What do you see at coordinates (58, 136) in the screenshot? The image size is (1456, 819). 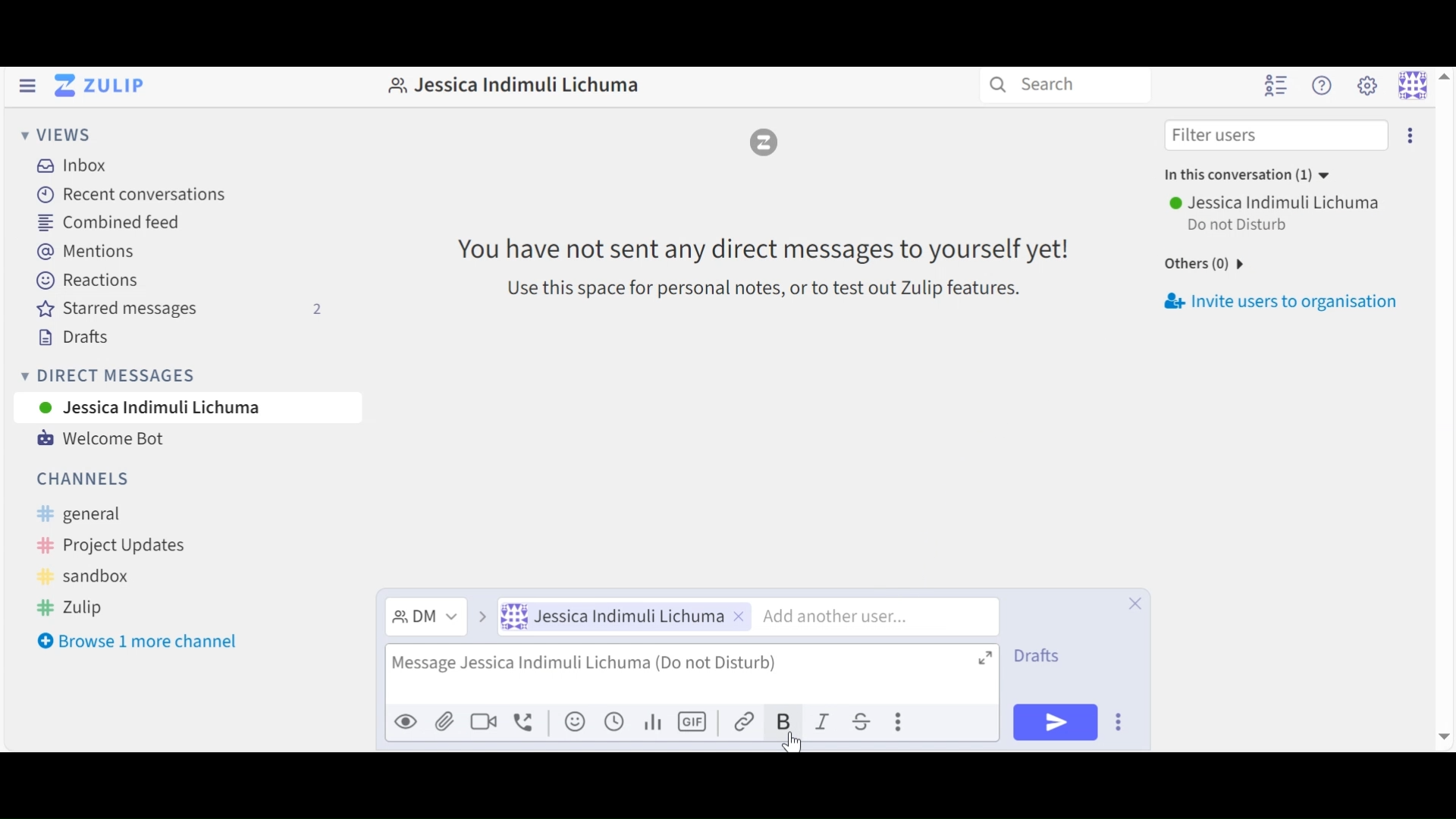 I see `Views` at bounding box center [58, 136].